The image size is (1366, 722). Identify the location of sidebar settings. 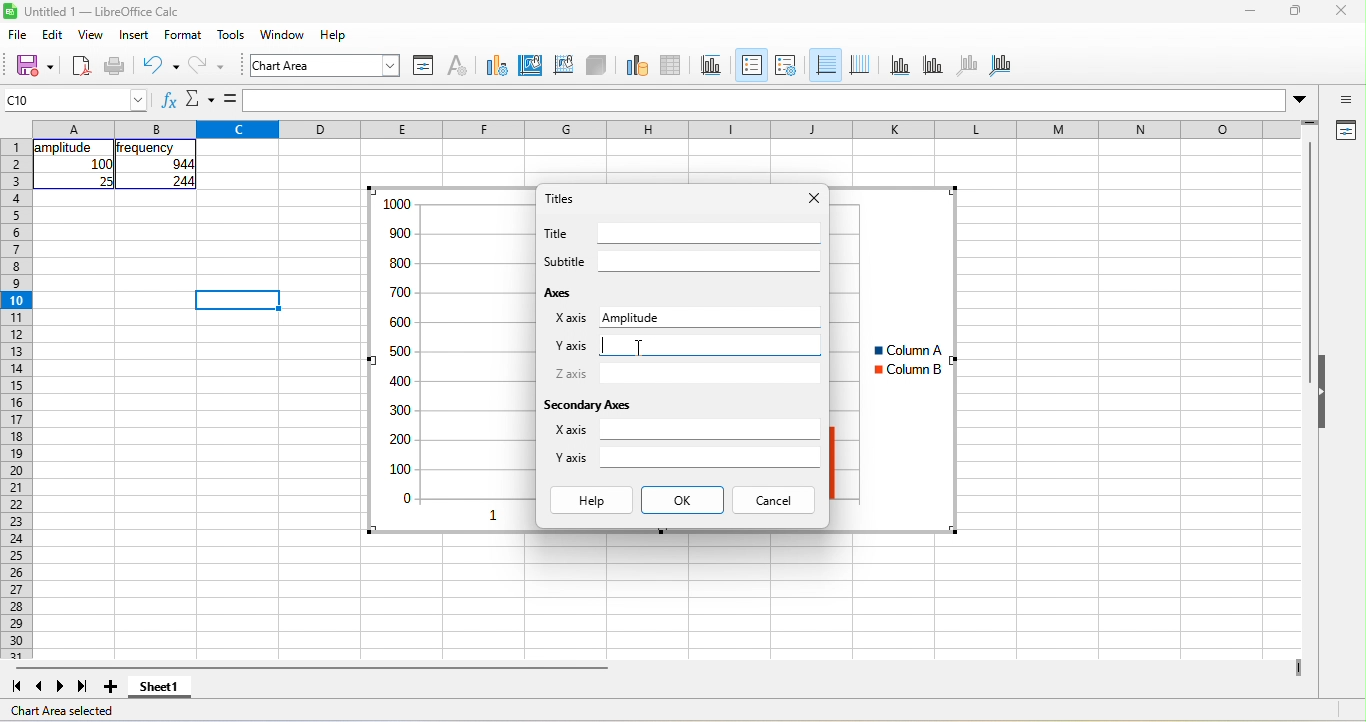
(1344, 99).